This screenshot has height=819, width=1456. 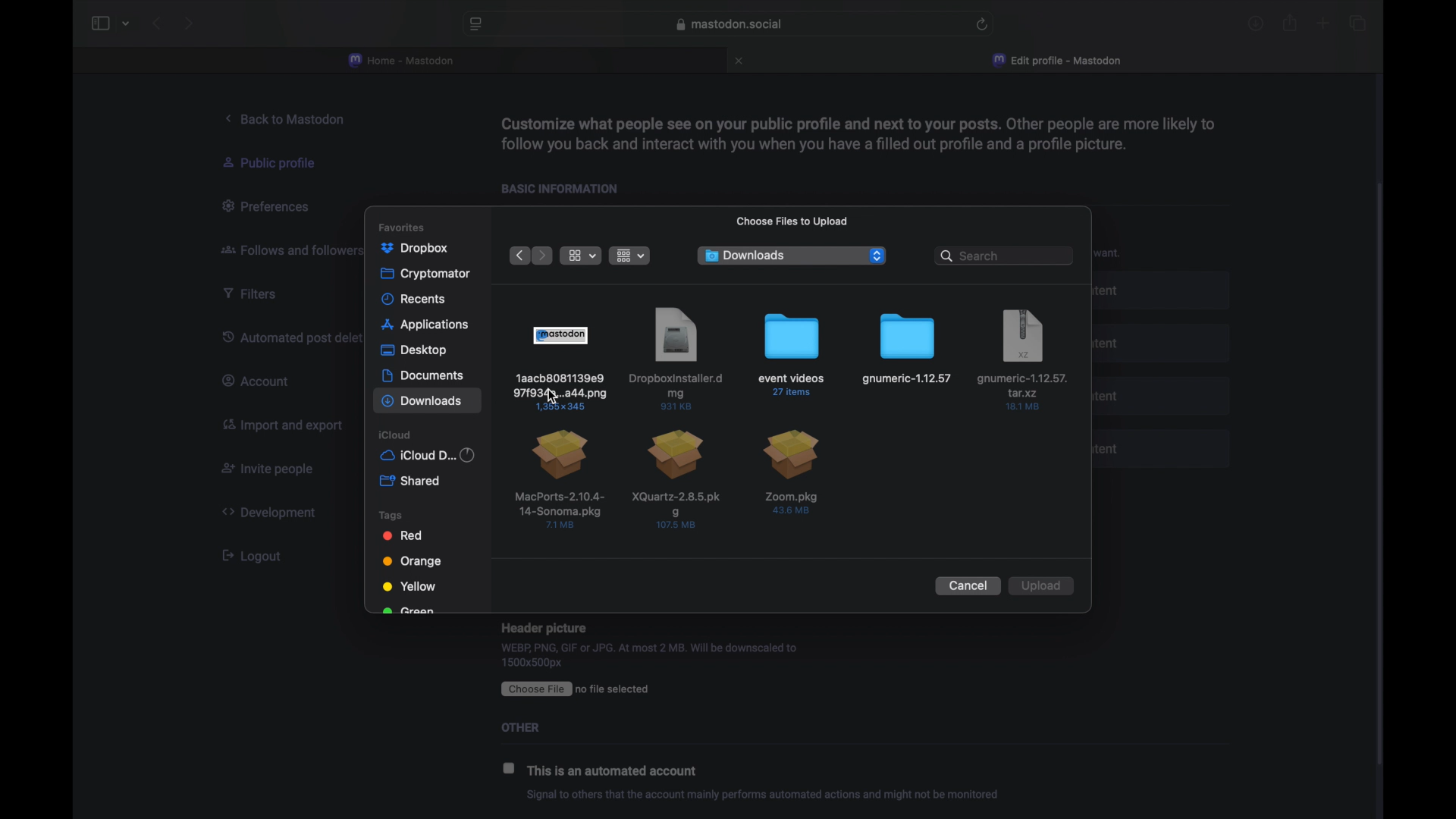 What do you see at coordinates (414, 249) in the screenshot?
I see `dropbox` at bounding box center [414, 249].